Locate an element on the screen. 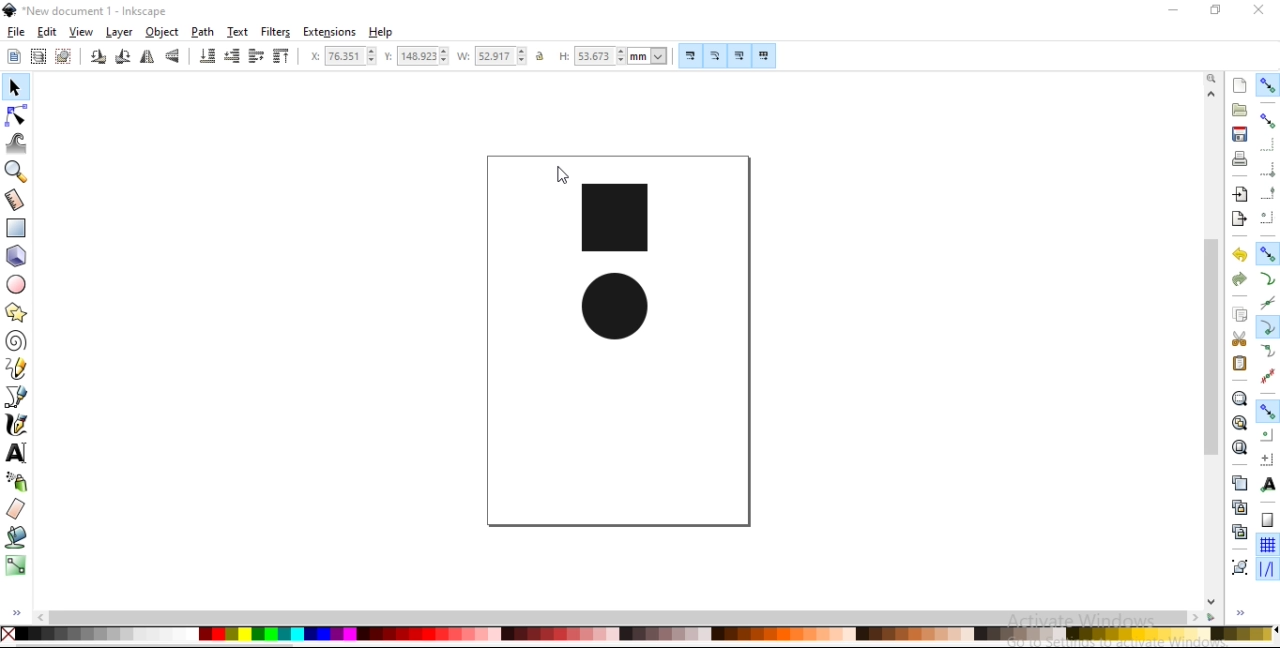 Image resolution: width=1280 pixels, height=648 pixels. create and edit gradients is located at coordinates (17, 566).